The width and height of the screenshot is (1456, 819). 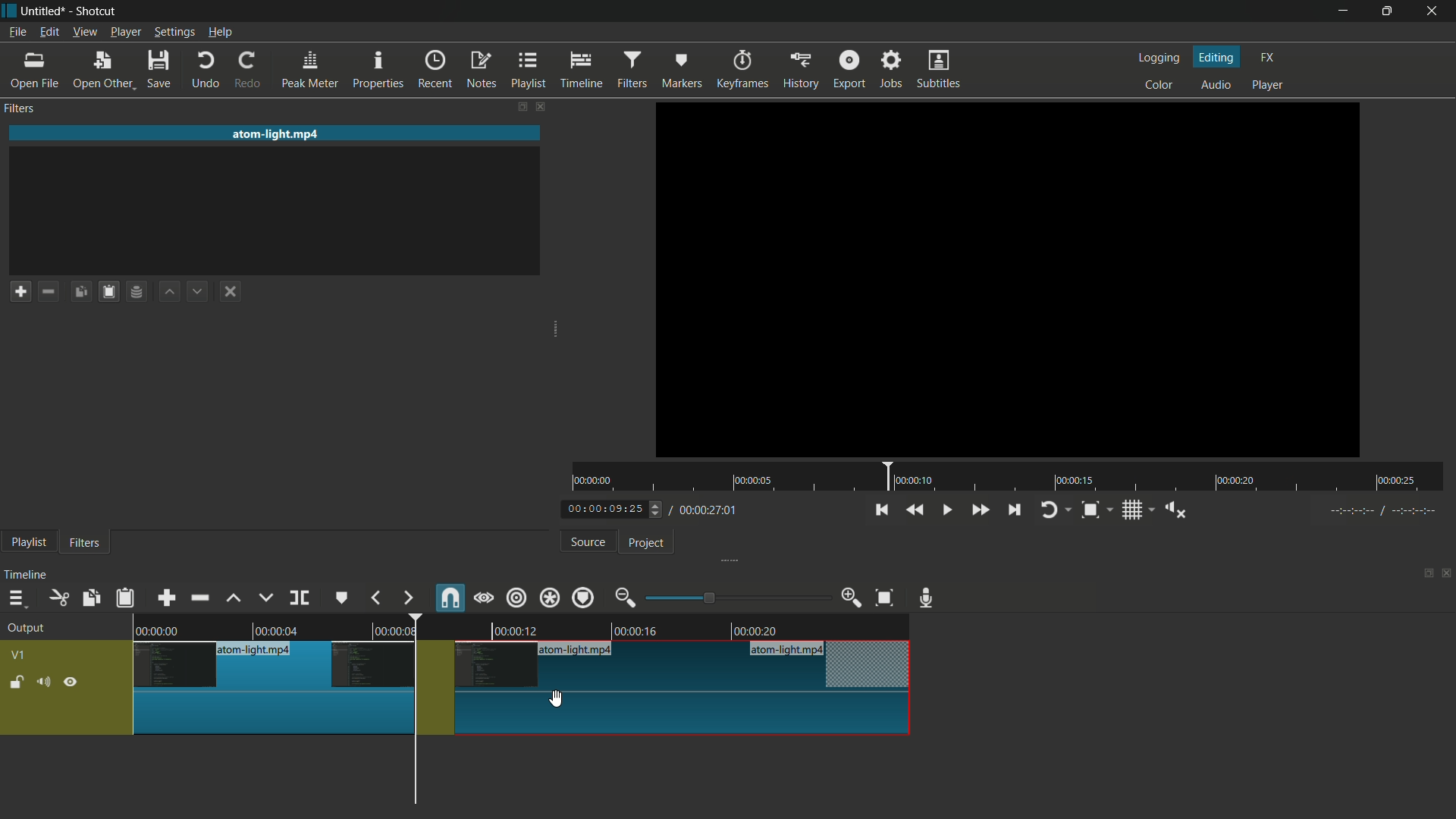 I want to click on lock, so click(x=17, y=683).